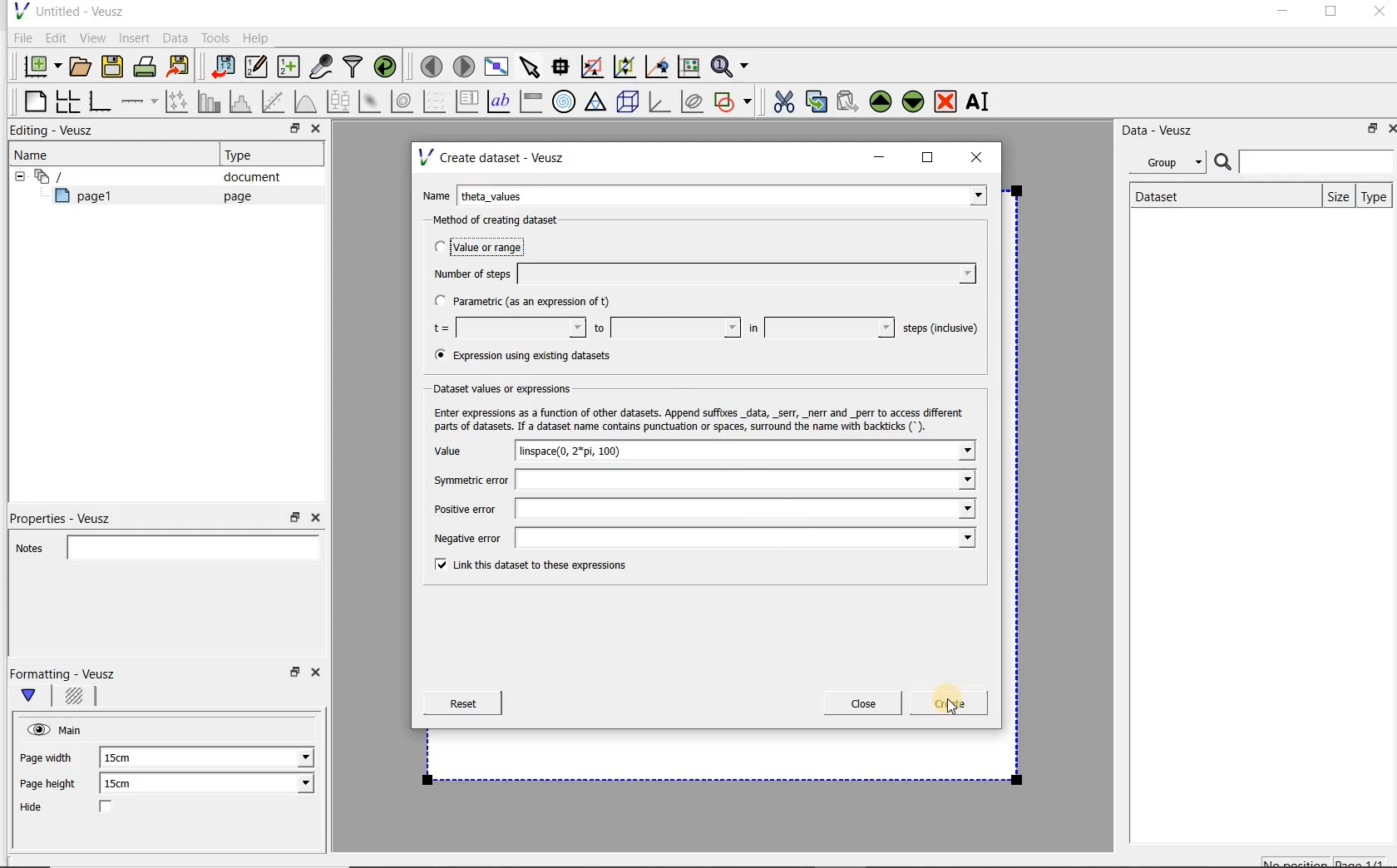 The height and width of the screenshot is (868, 1397). I want to click on cut the selected widget, so click(781, 100).